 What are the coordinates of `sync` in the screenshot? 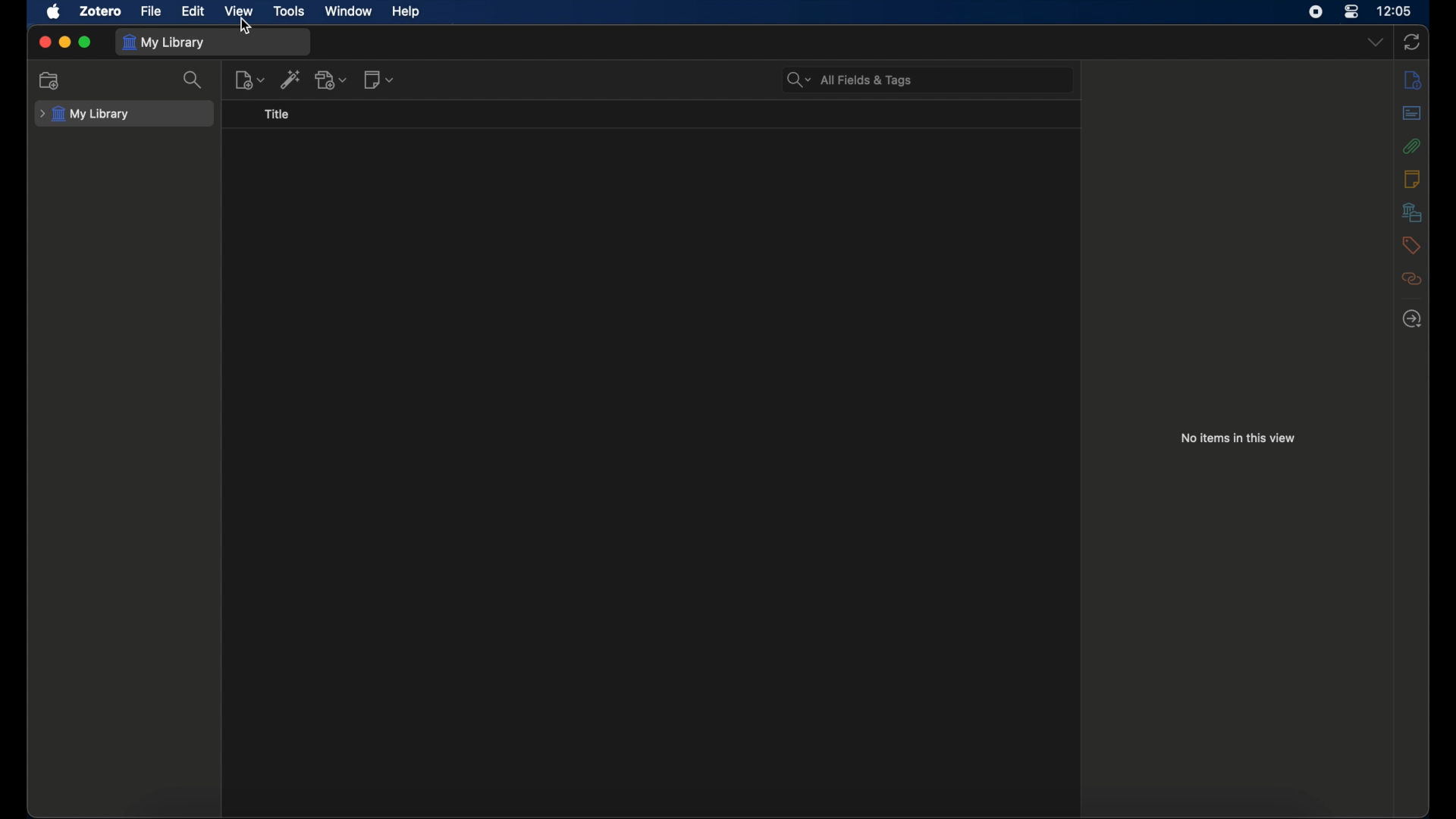 It's located at (1412, 43).